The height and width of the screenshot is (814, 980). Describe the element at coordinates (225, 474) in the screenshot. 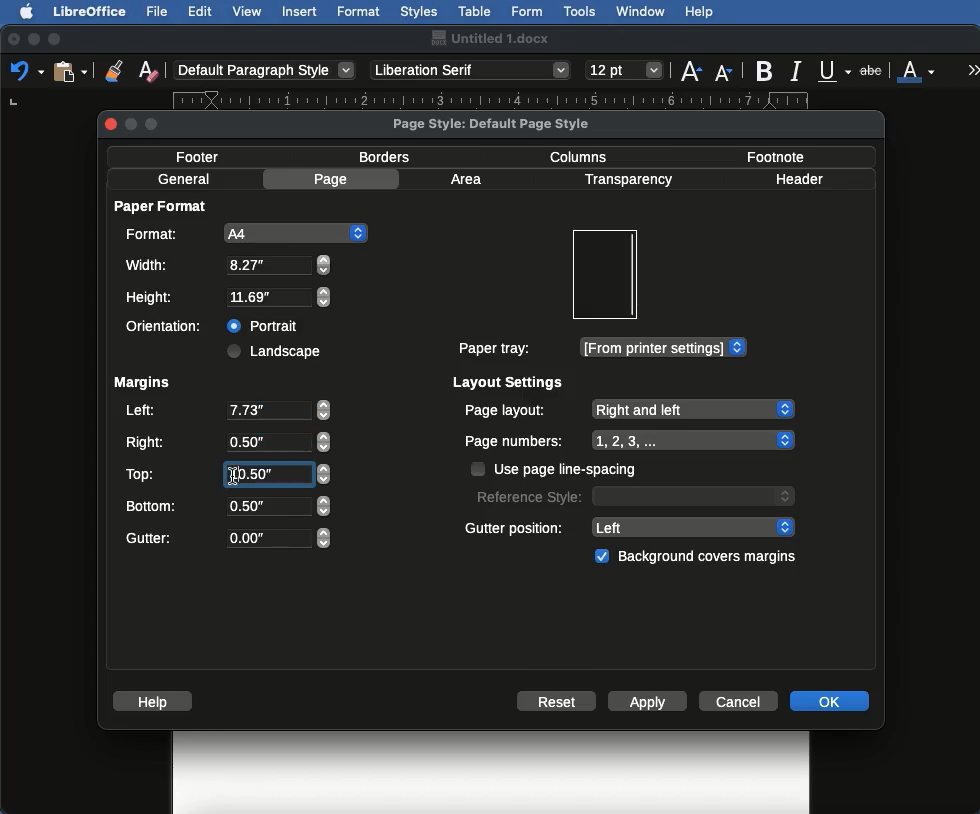

I see `Top` at that location.